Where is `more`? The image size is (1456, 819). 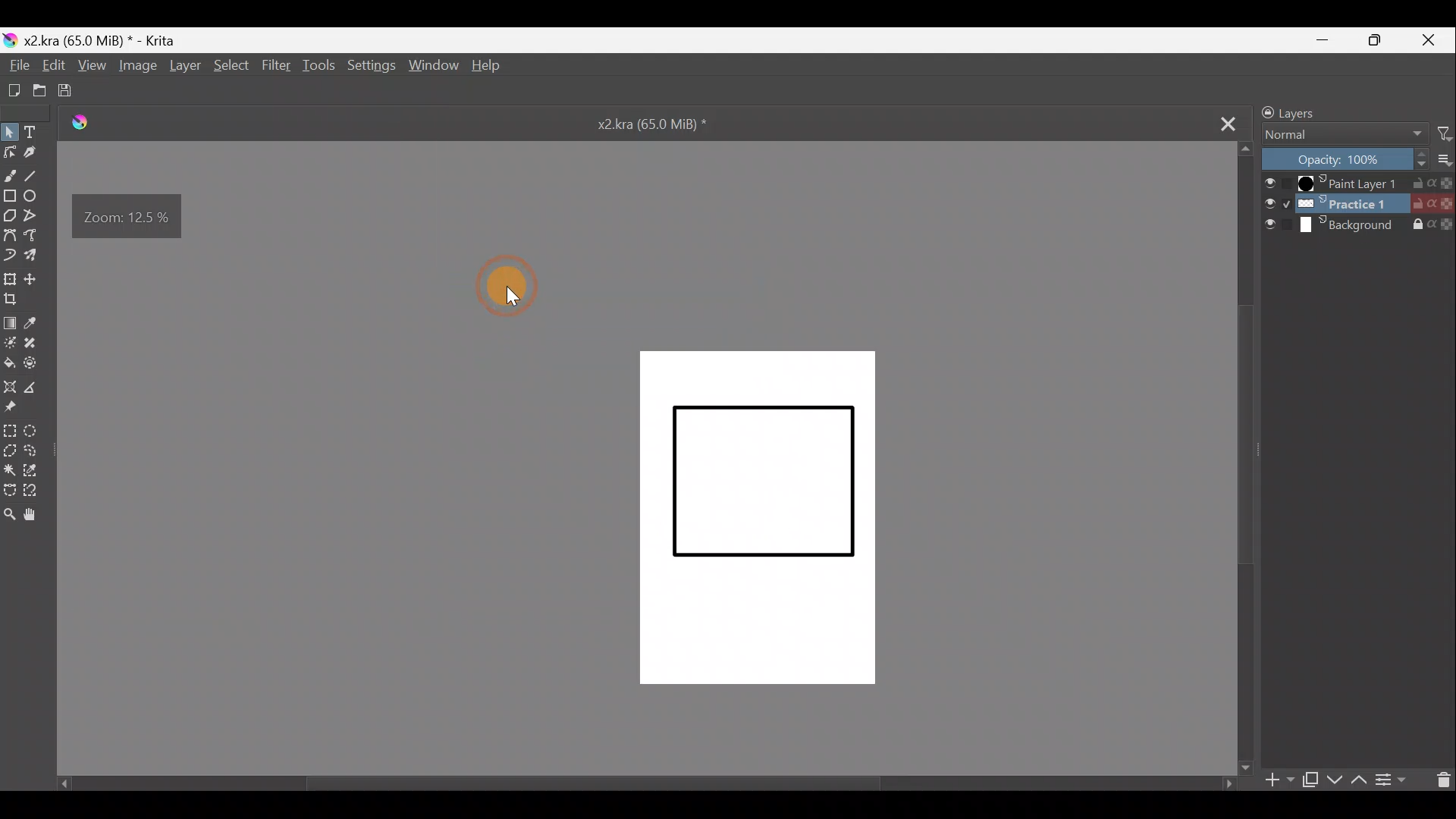 more is located at coordinates (1447, 162).